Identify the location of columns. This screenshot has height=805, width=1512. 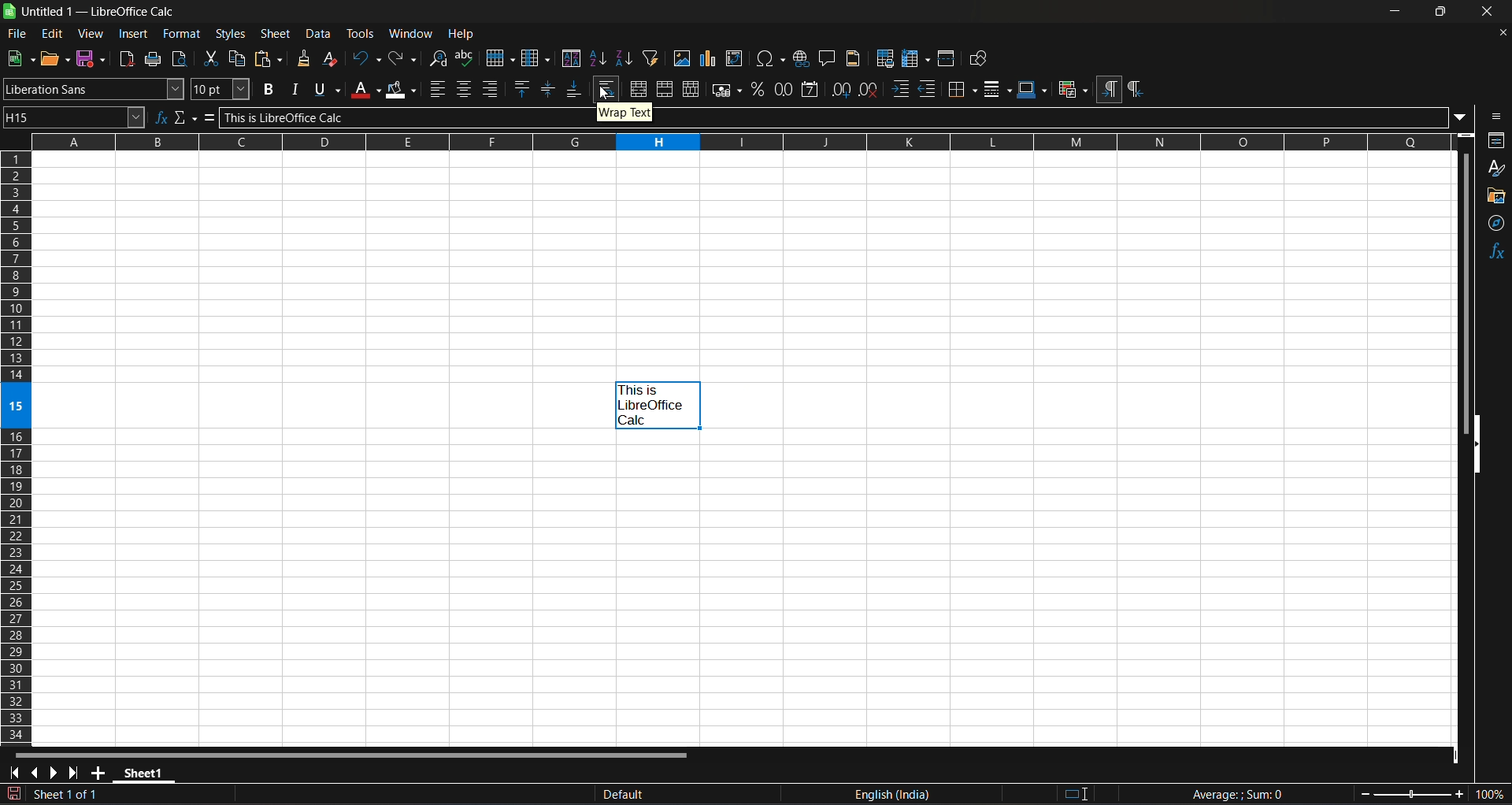
(14, 447).